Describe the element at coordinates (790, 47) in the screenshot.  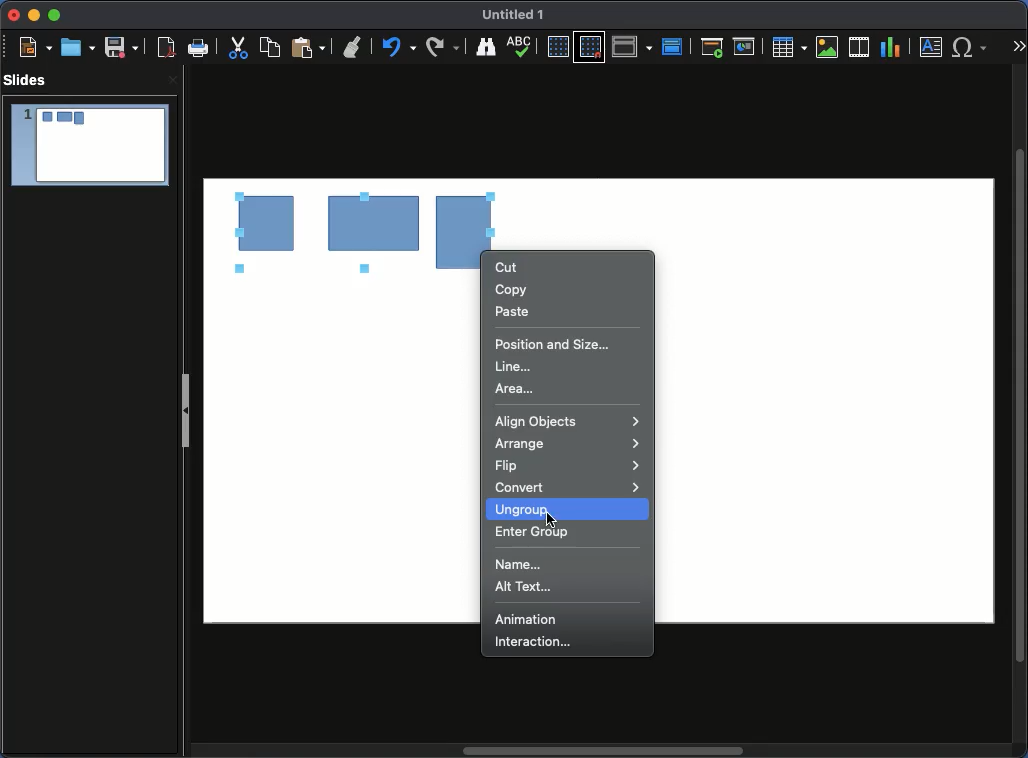
I see `Table` at that location.